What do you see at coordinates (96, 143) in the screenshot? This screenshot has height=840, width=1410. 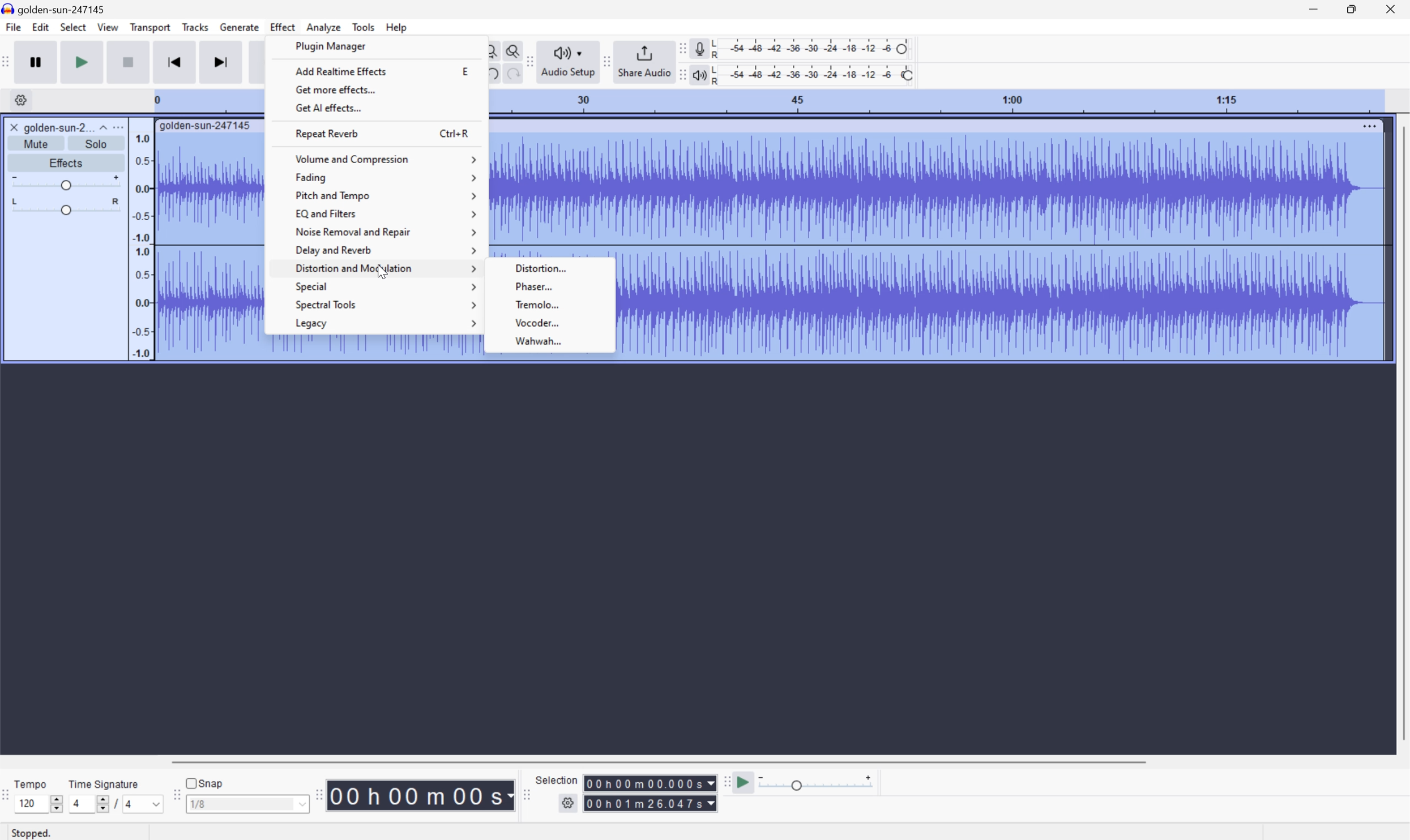 I see `Solo` at bounding box center [96, 143].